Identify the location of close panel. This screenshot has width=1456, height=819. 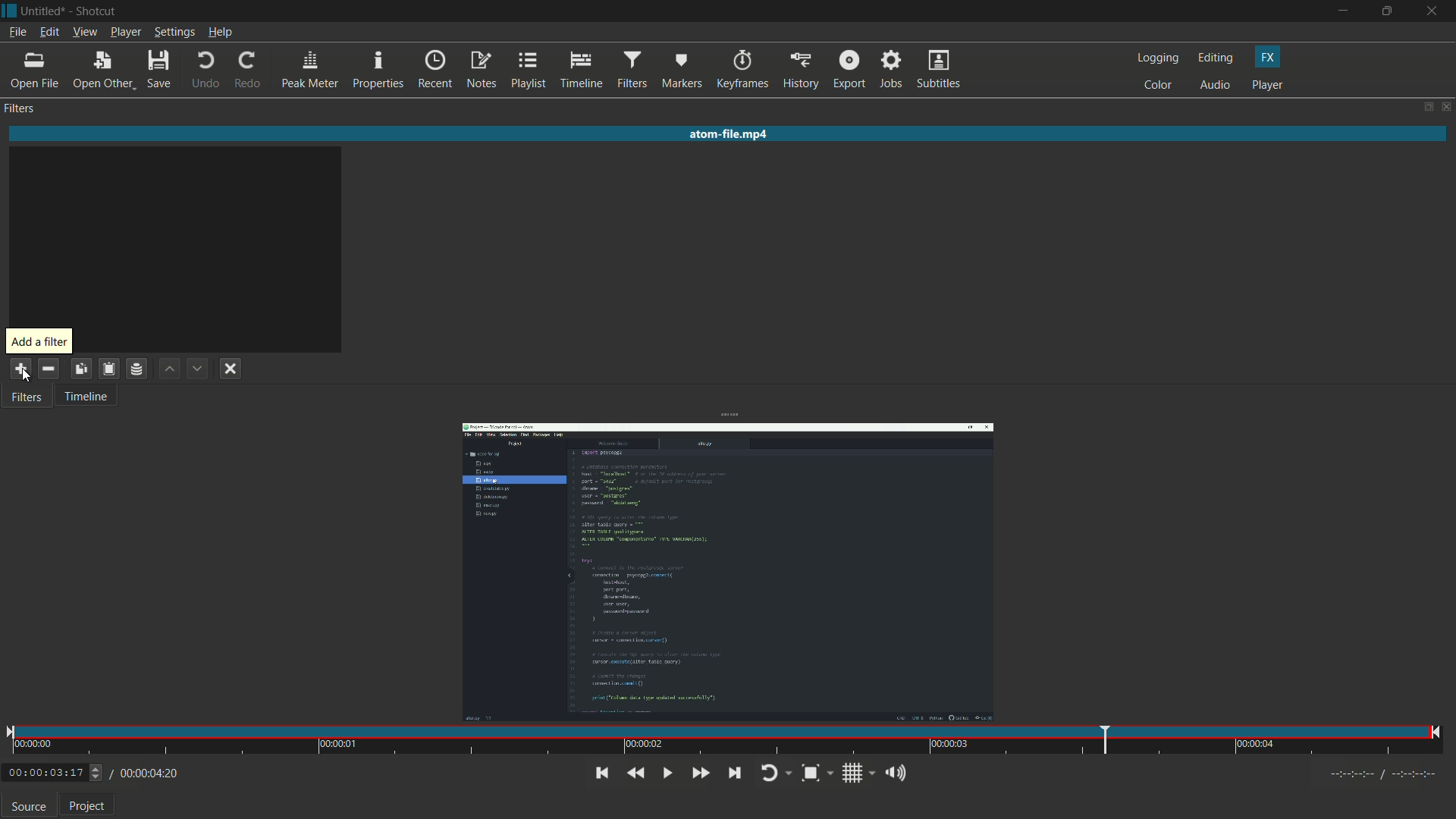
(1447, 106).